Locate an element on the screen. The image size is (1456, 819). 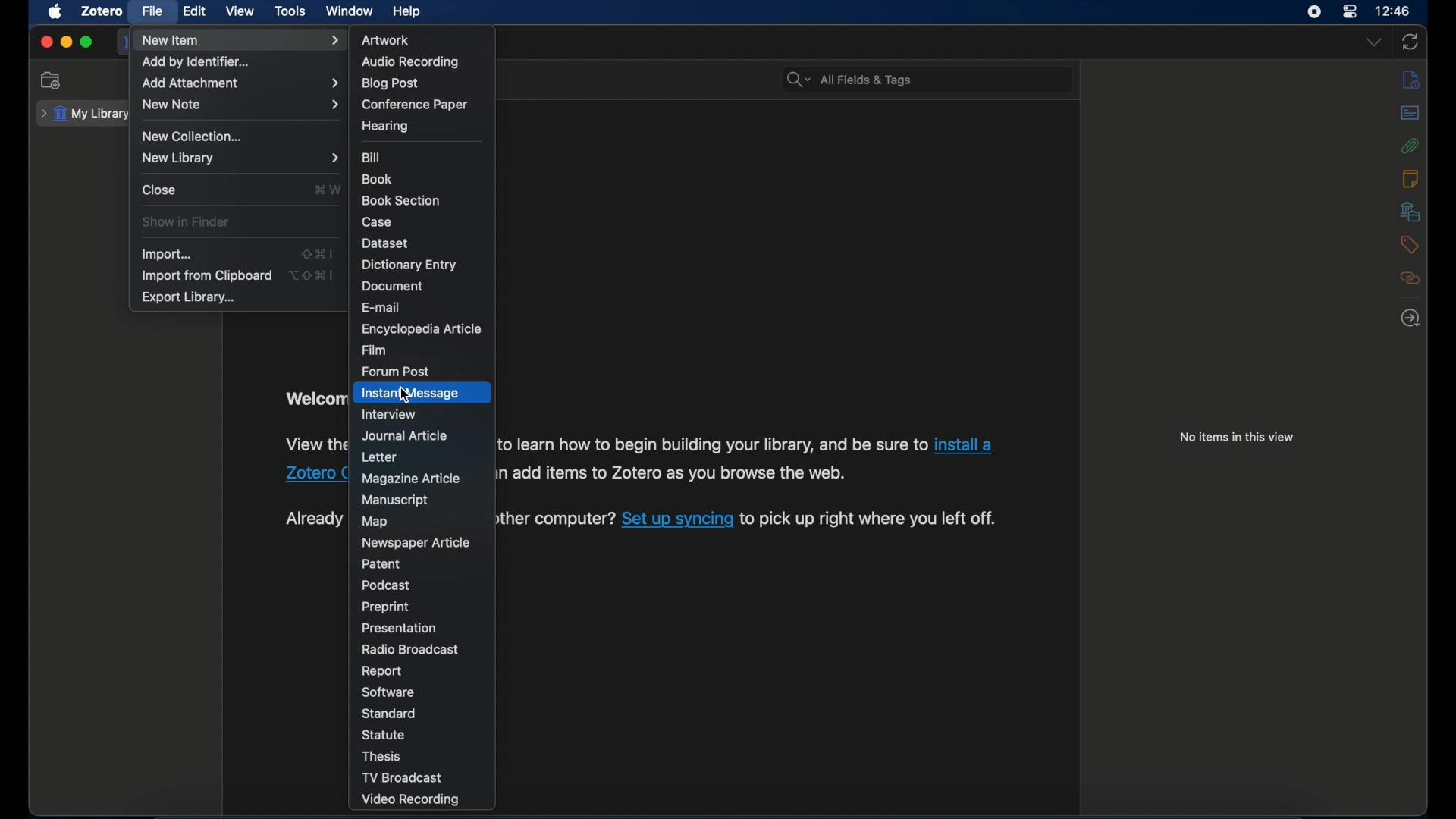
manuscript is located at coordinates (396, 500).